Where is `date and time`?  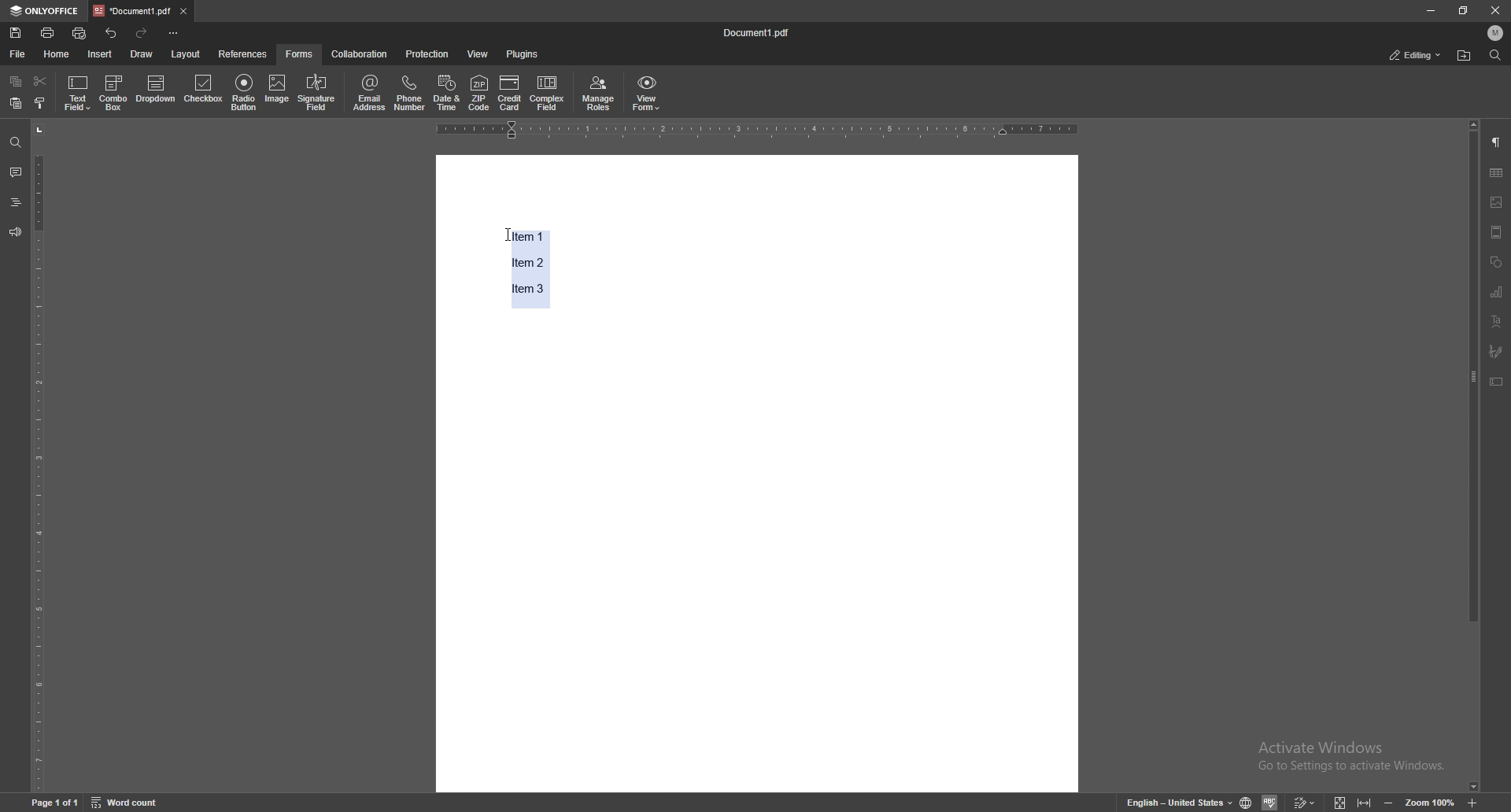 date and time is located at coordinates (447, 92).